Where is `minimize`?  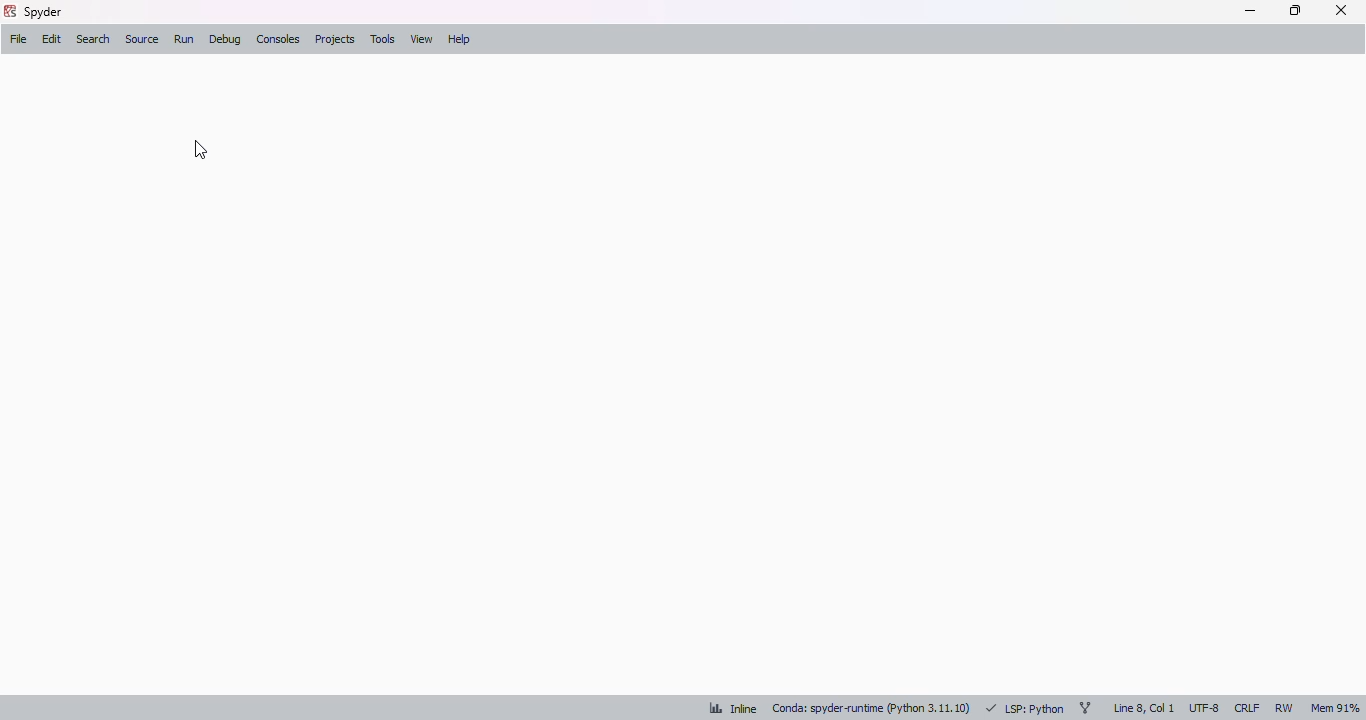
minimize is located at coordinates (1250, 11).